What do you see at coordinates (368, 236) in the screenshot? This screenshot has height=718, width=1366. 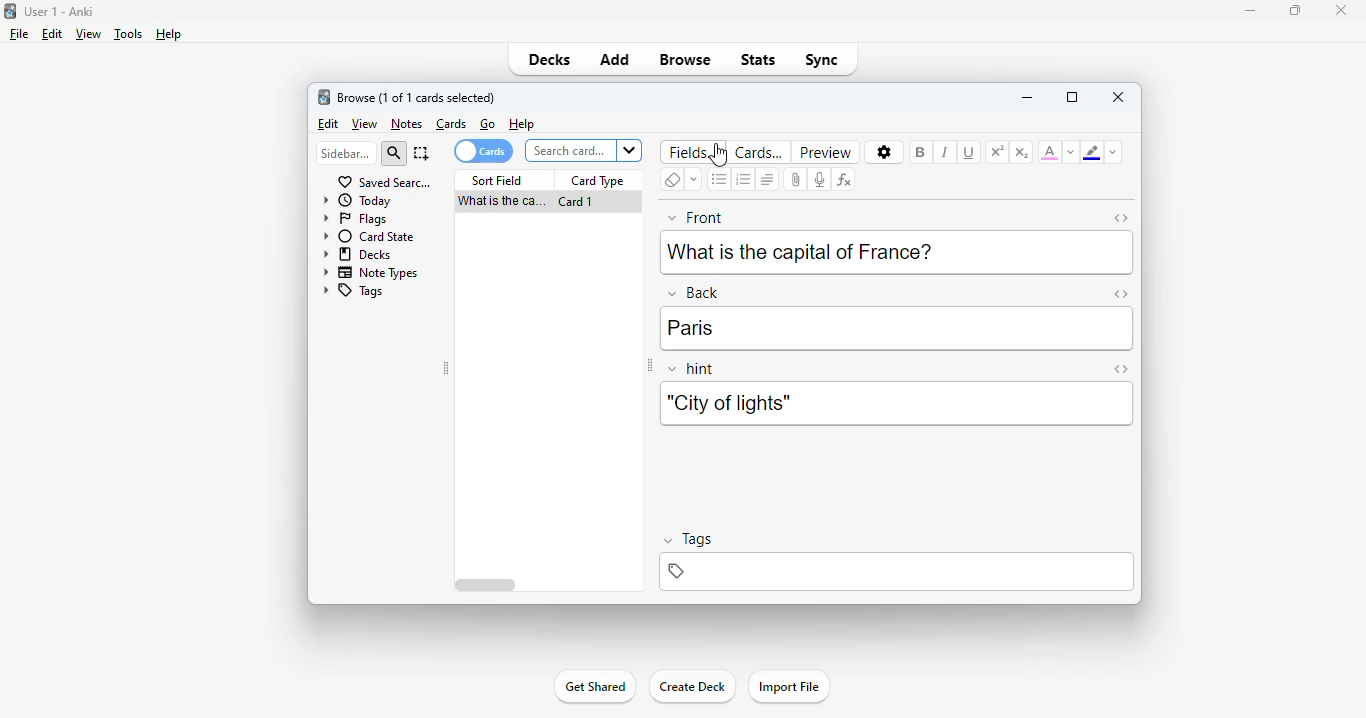 I see `card state` at bounding box center [368, 236].